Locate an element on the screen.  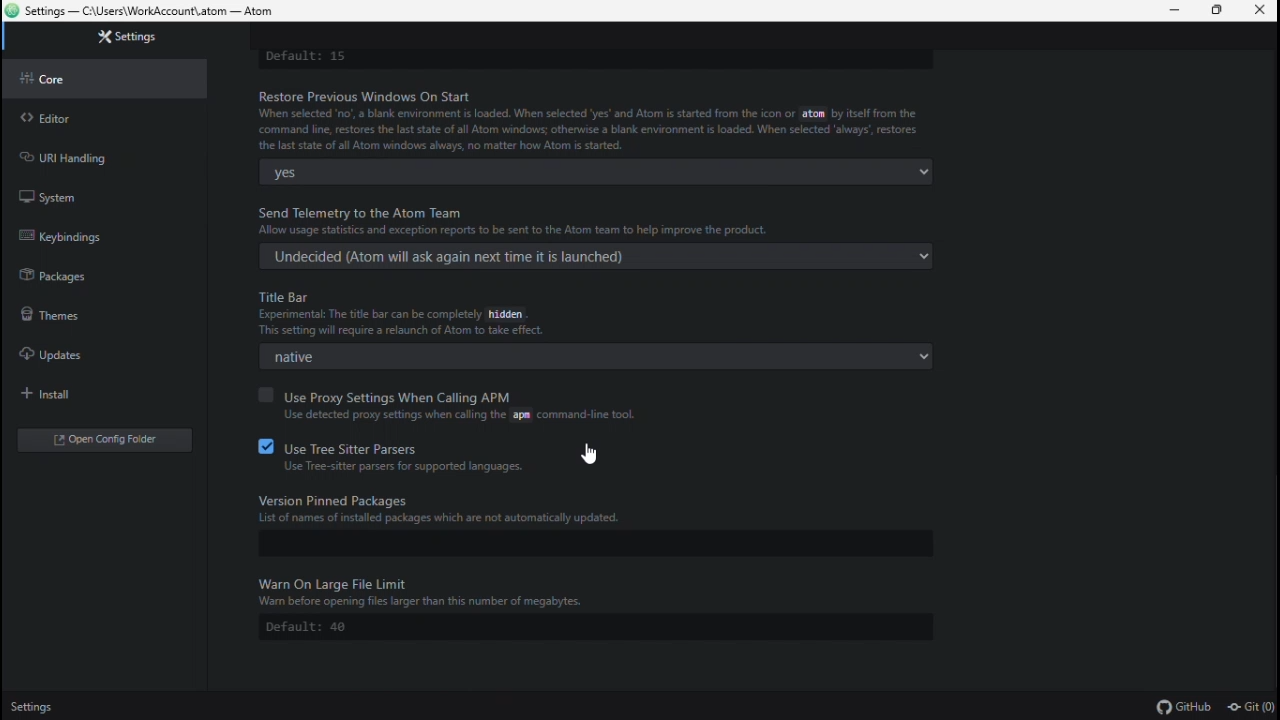
Version pinned packages is located at coordinates (611, 506).